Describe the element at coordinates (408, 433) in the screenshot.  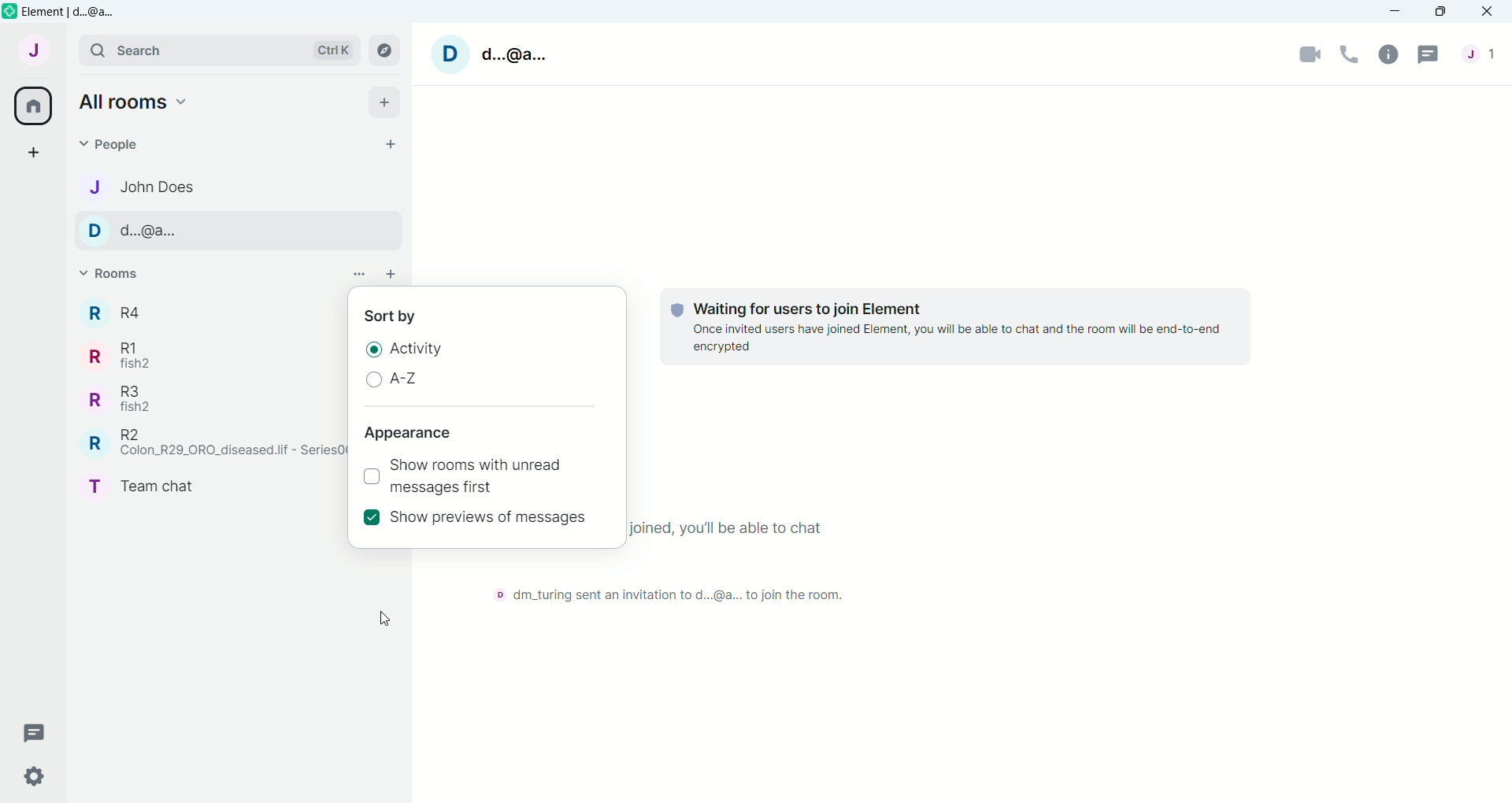
I see `Appearance` at that location.